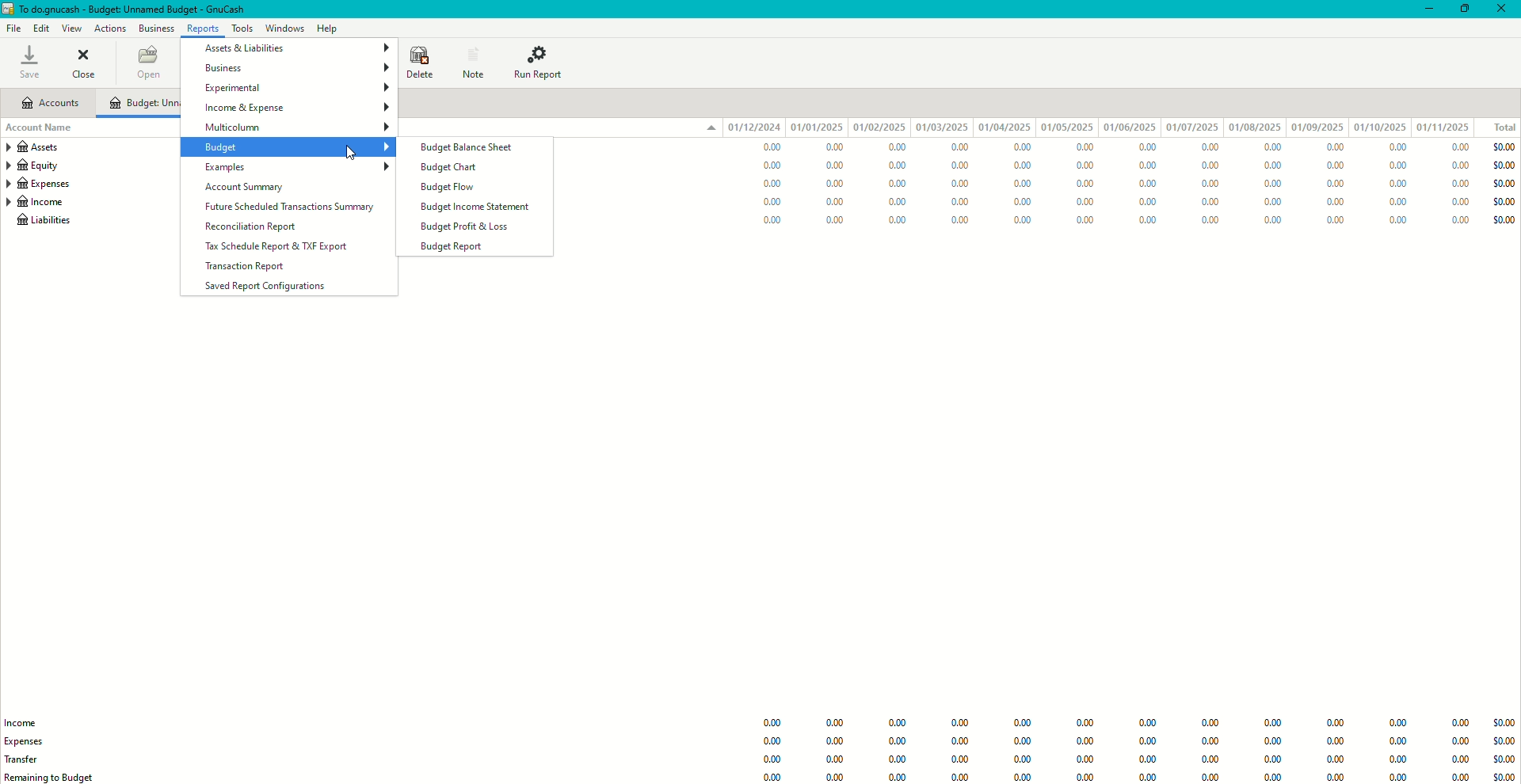 Image resolution: width=1521 pixels, height=784 pixels. Describe the element at coordinates (898, 183) in the screenshot. I see `0.00` at that location.